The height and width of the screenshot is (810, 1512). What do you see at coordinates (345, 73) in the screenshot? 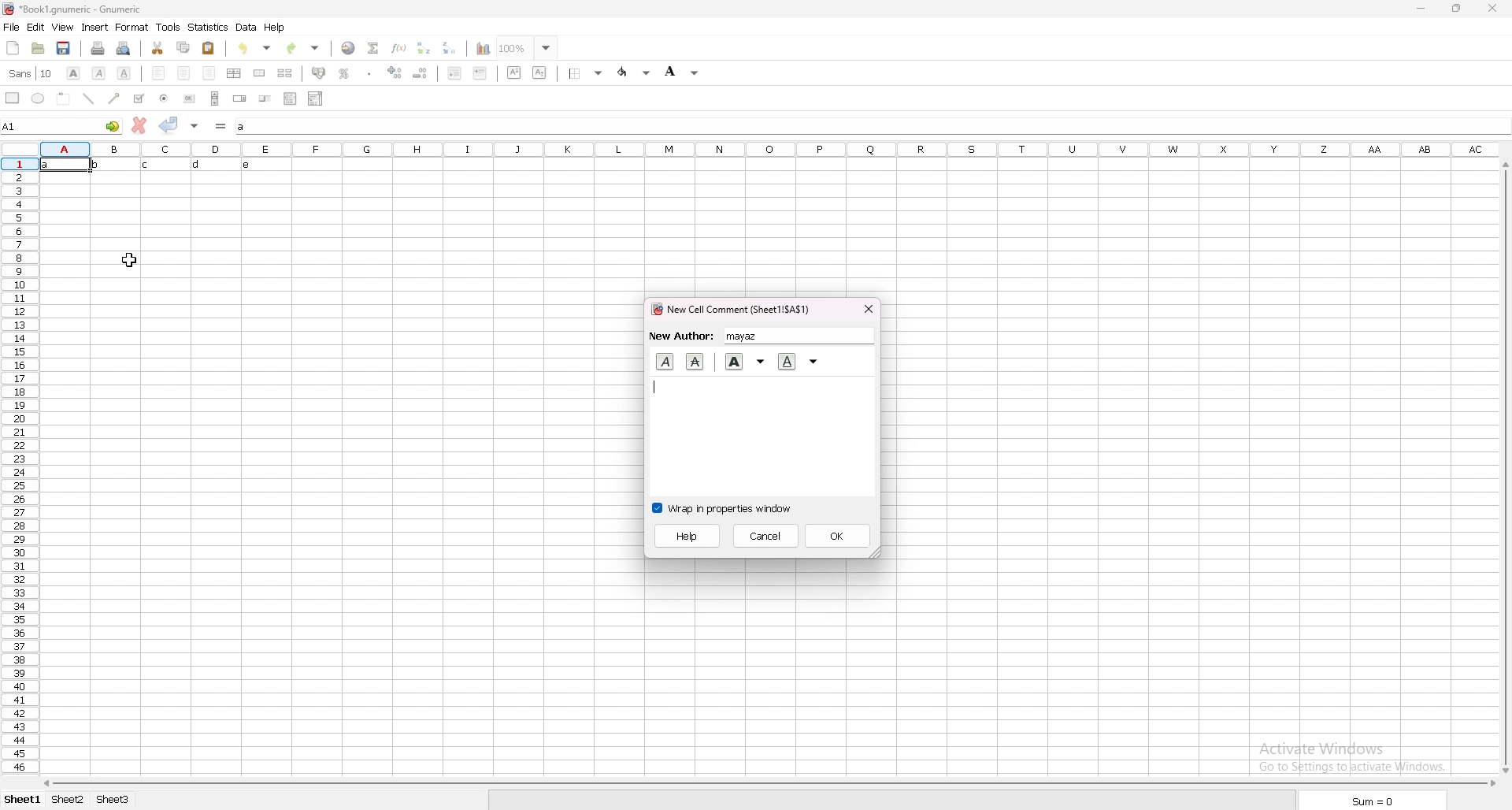
I see `percentage` at bounding box center [345, 73].